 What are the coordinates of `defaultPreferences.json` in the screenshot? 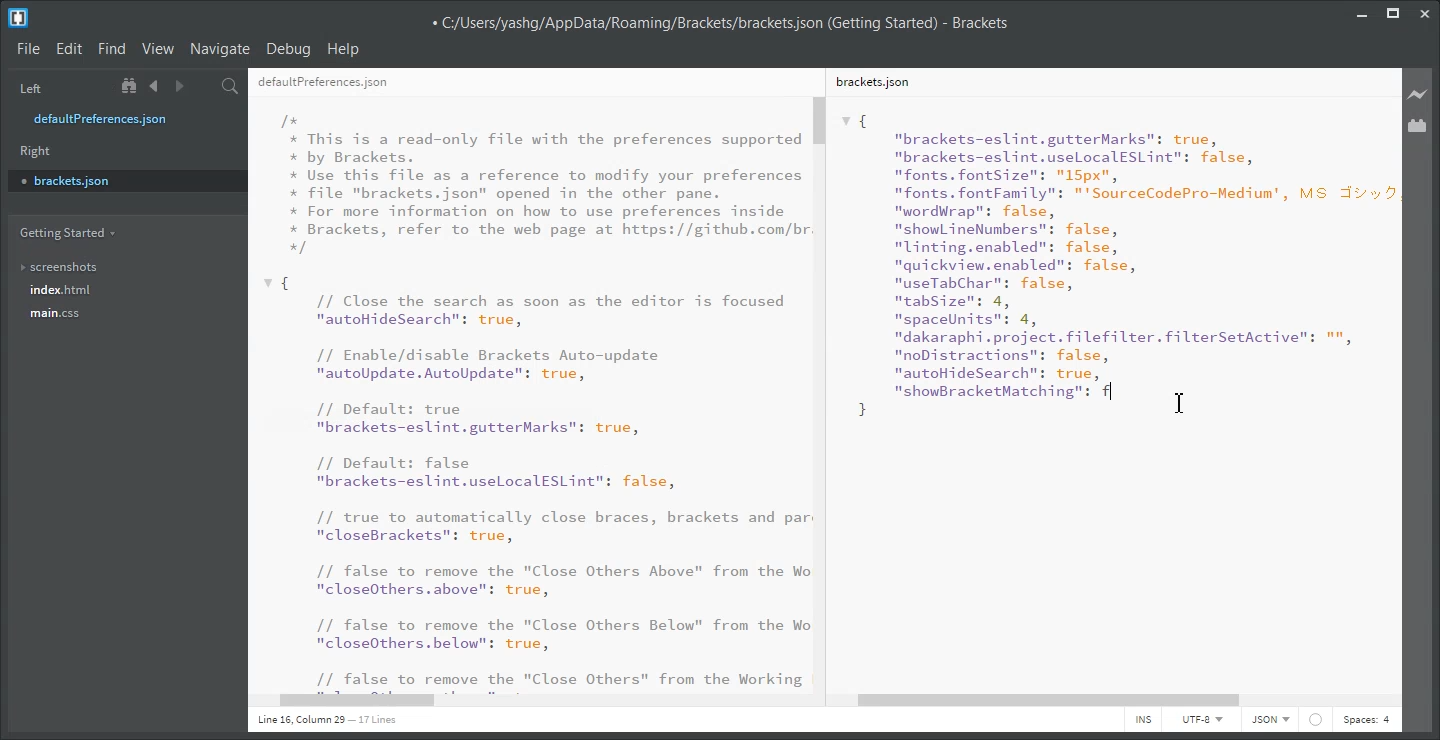 It's located at (323, 83).